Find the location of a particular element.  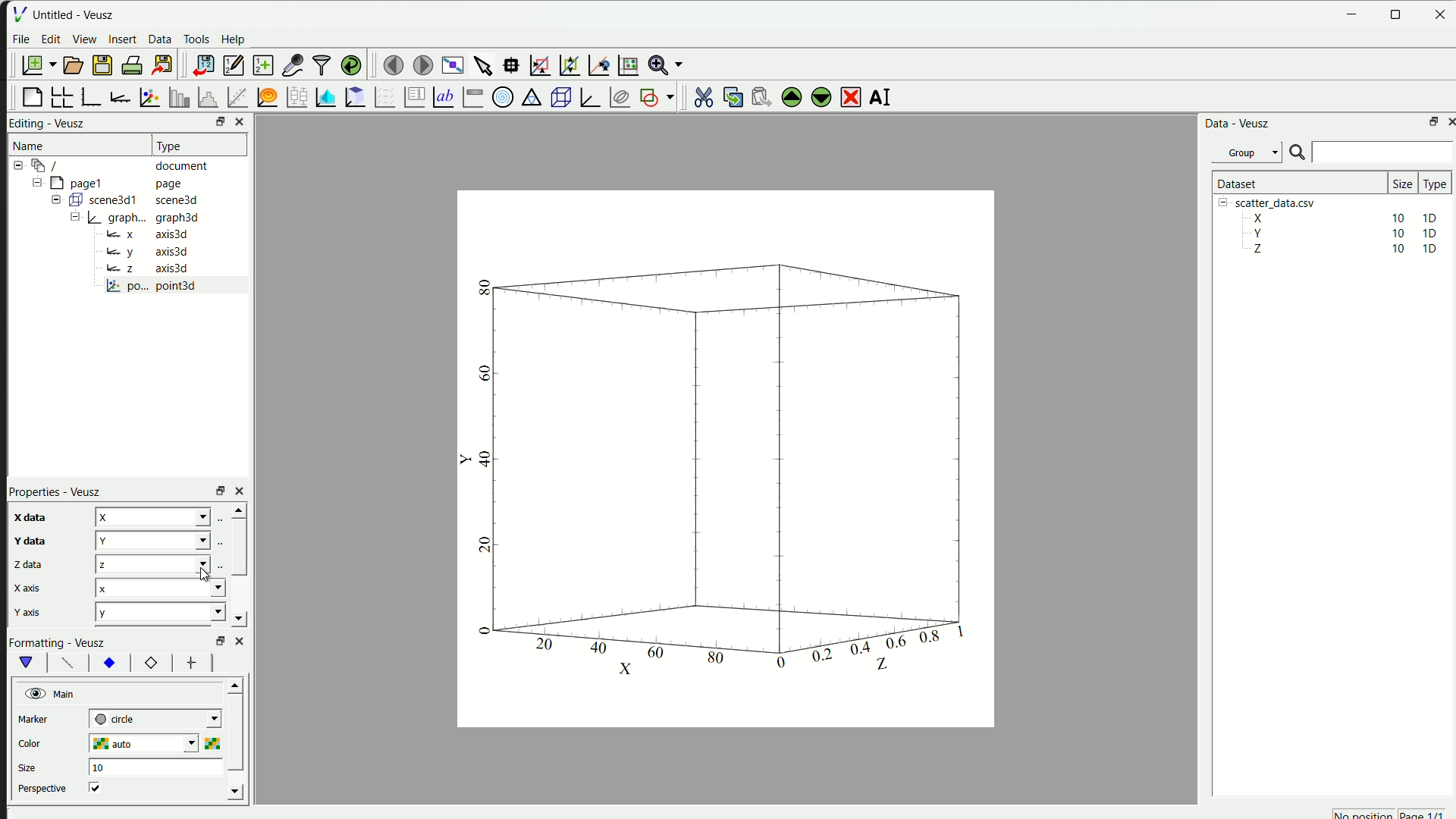

plot box plots is located at coordinates (293, 98).